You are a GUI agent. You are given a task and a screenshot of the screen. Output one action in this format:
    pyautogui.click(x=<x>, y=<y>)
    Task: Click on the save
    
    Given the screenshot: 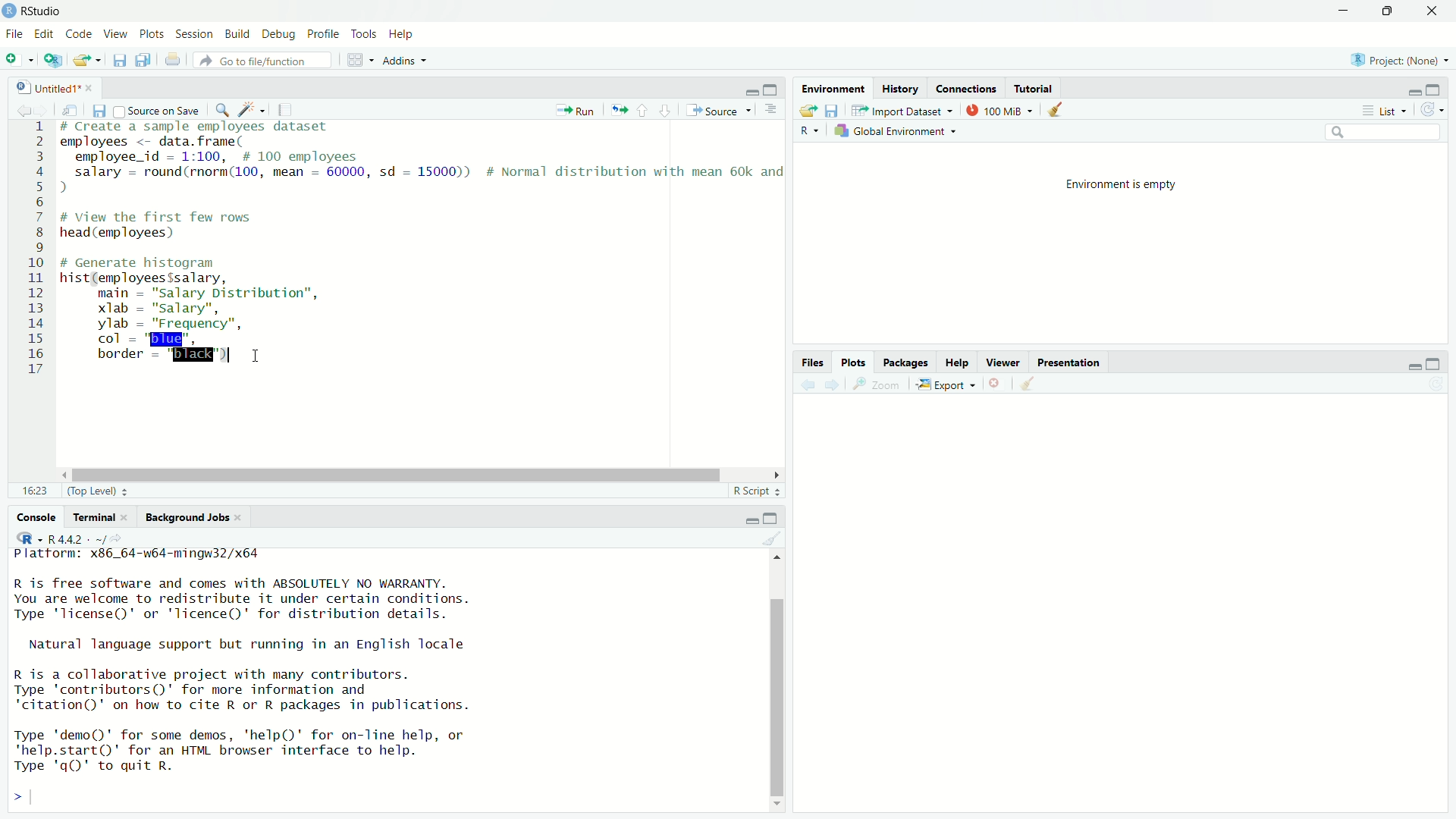 What is the action you would take?
    pyautogui.click(x=120, y=60)
    